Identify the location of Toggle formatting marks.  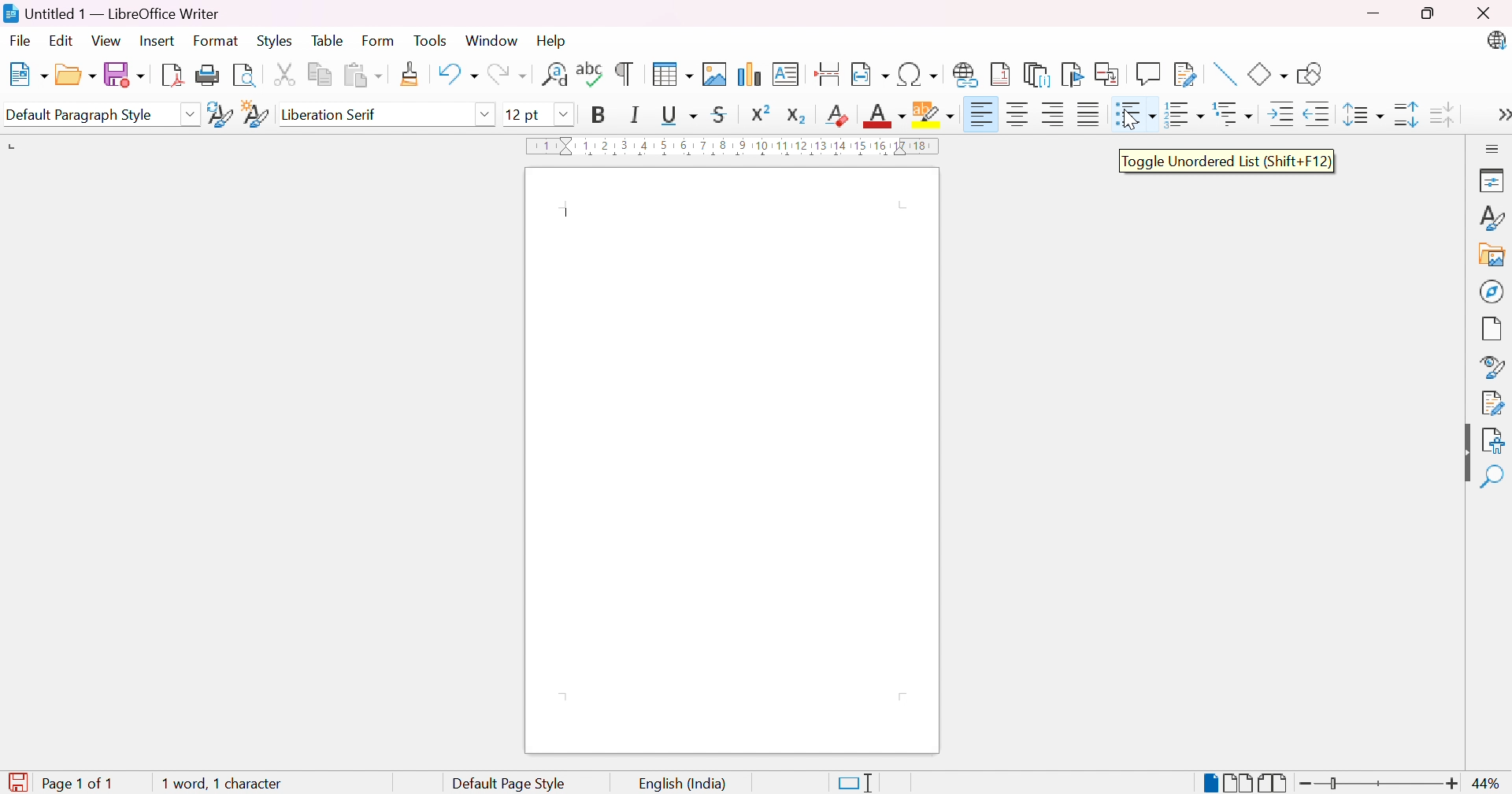
(626, 72).